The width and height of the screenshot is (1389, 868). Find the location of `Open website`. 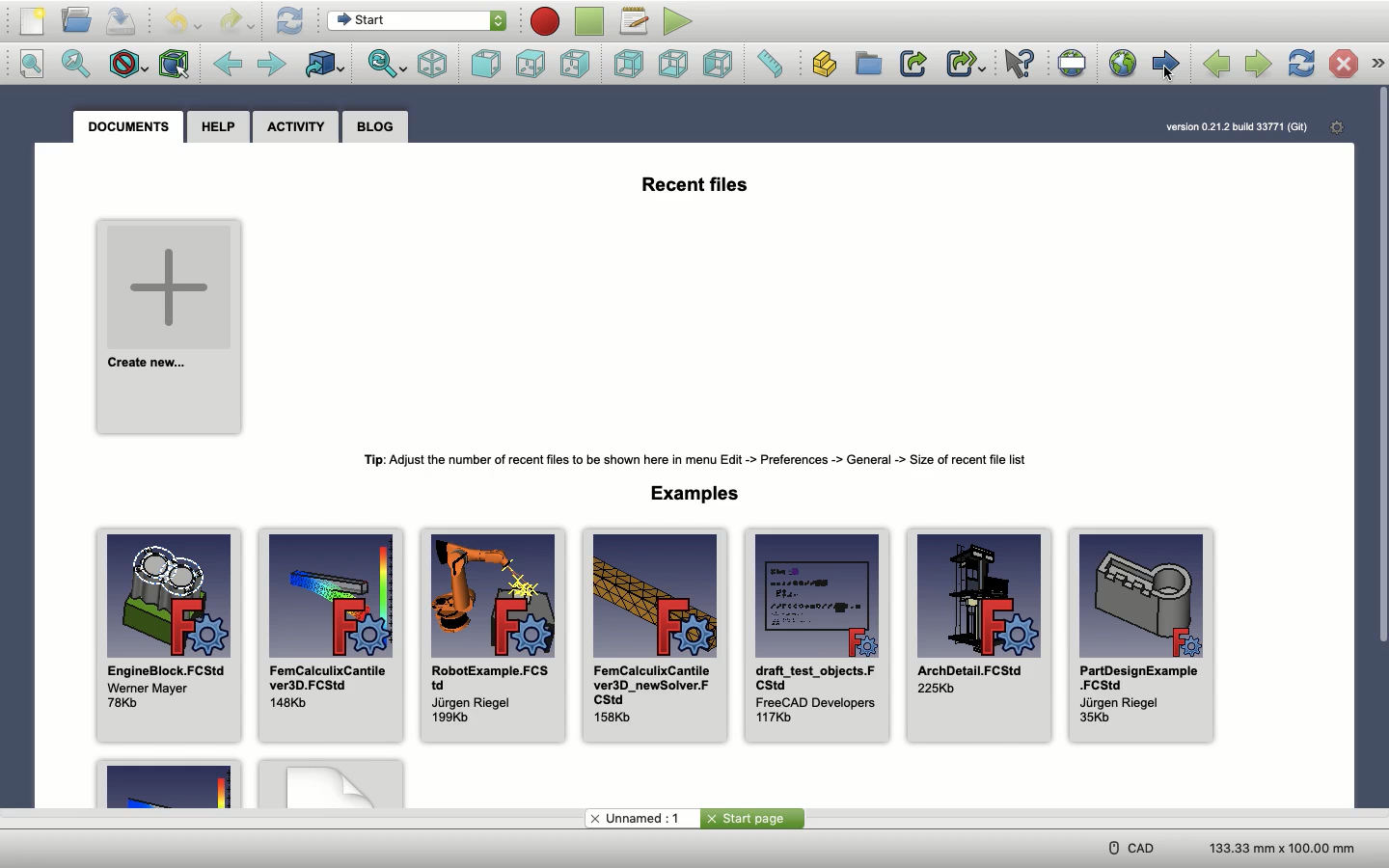

Open website is located at coordinates (1122, 64).